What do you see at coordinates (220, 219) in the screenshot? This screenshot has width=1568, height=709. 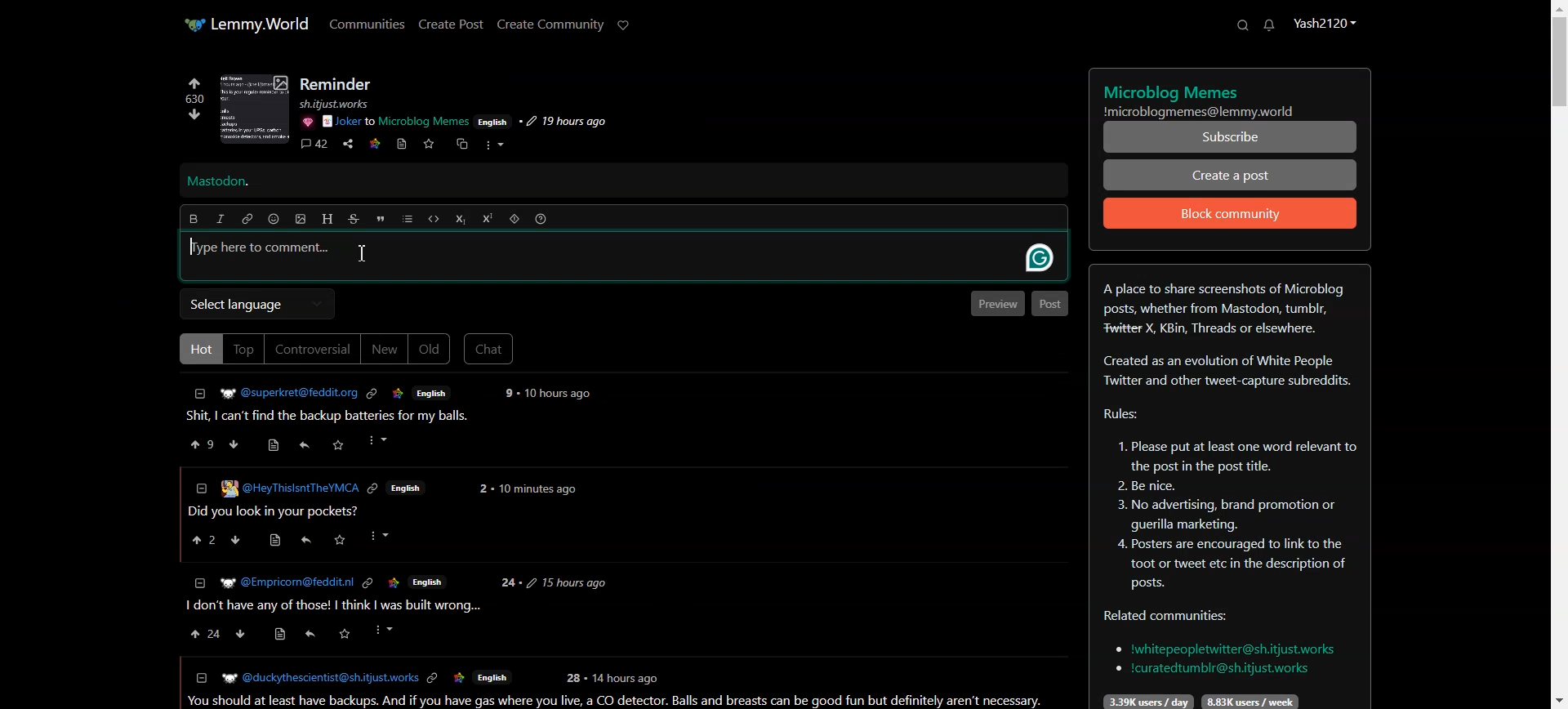 I see `Italic` at bounding box center [220, 219].